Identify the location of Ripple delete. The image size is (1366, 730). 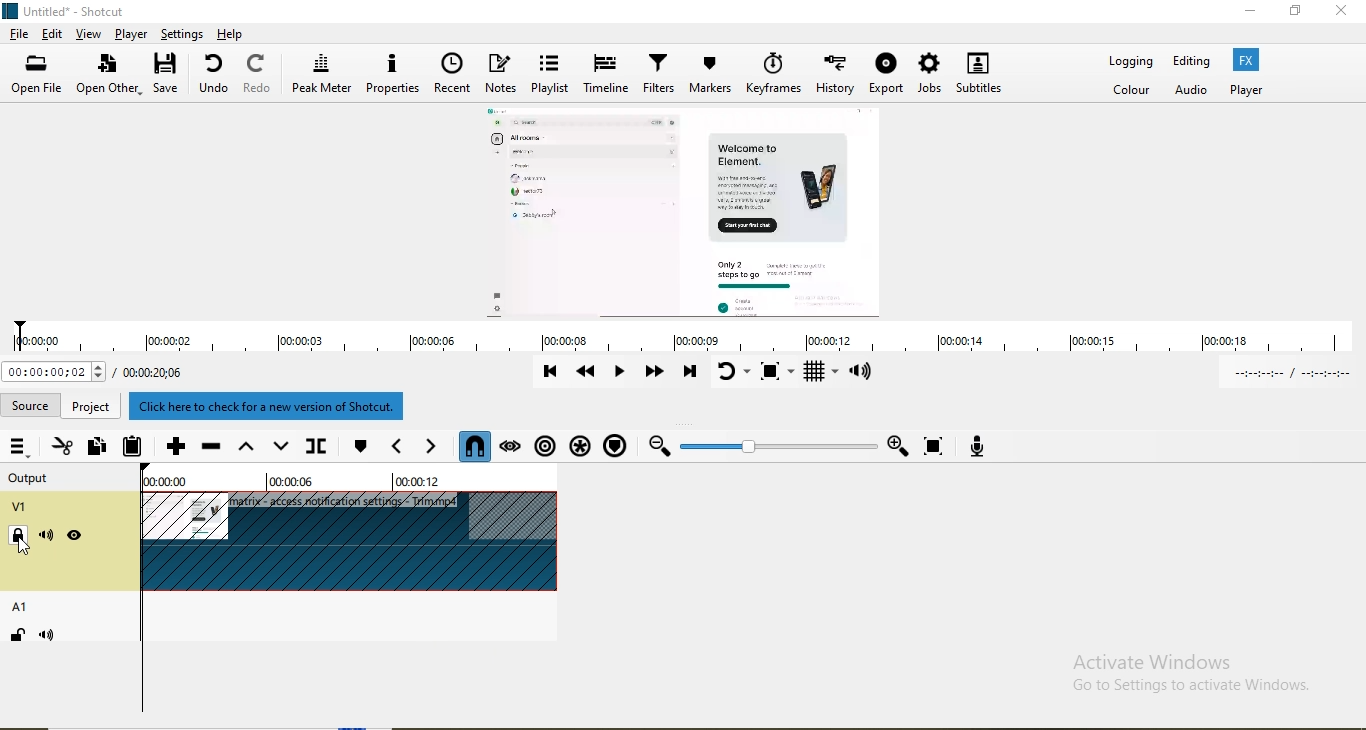
(209, 448).